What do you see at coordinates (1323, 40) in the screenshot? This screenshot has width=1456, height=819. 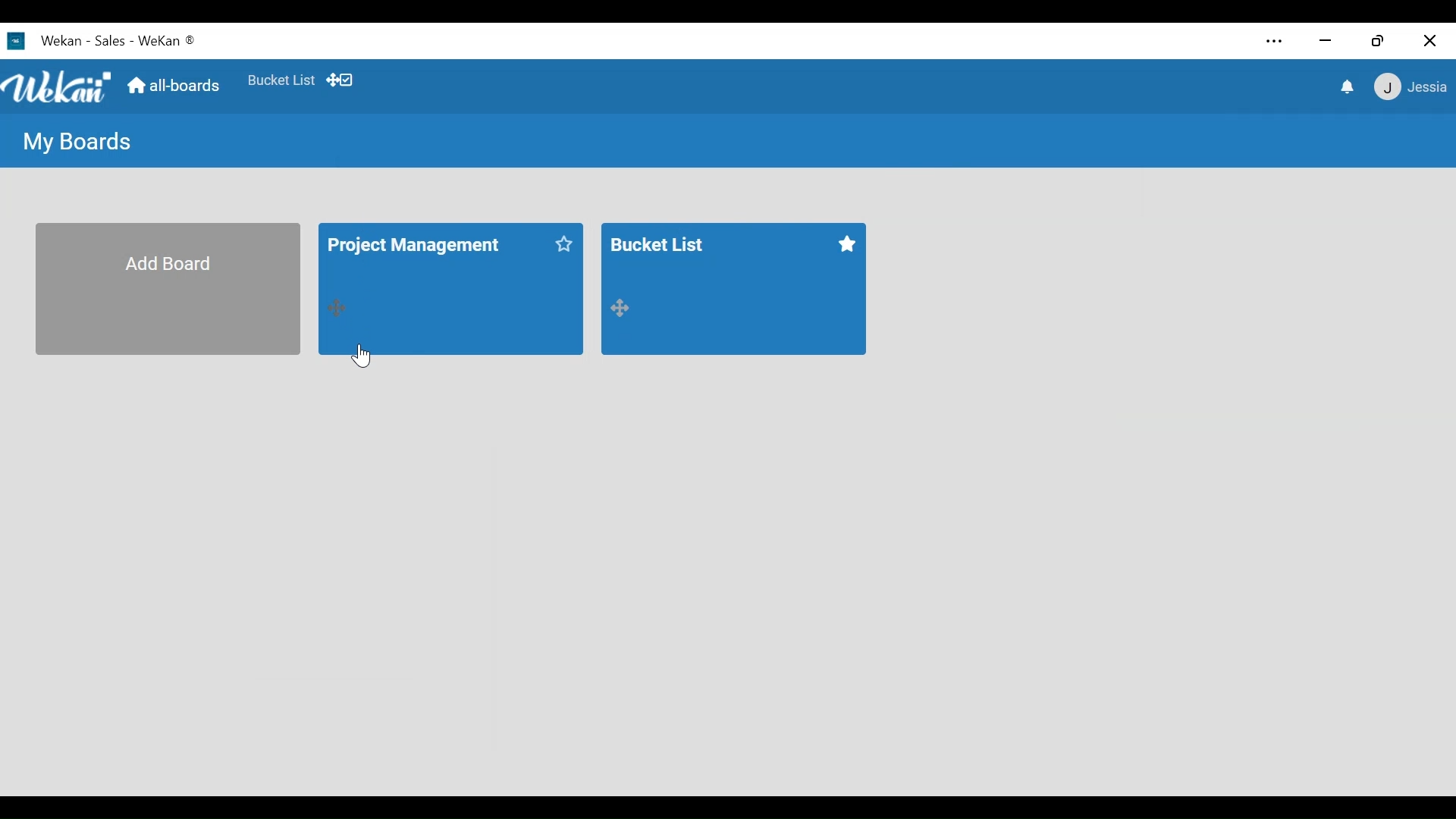 I see `minimize` at bounding box center [1323, 40].